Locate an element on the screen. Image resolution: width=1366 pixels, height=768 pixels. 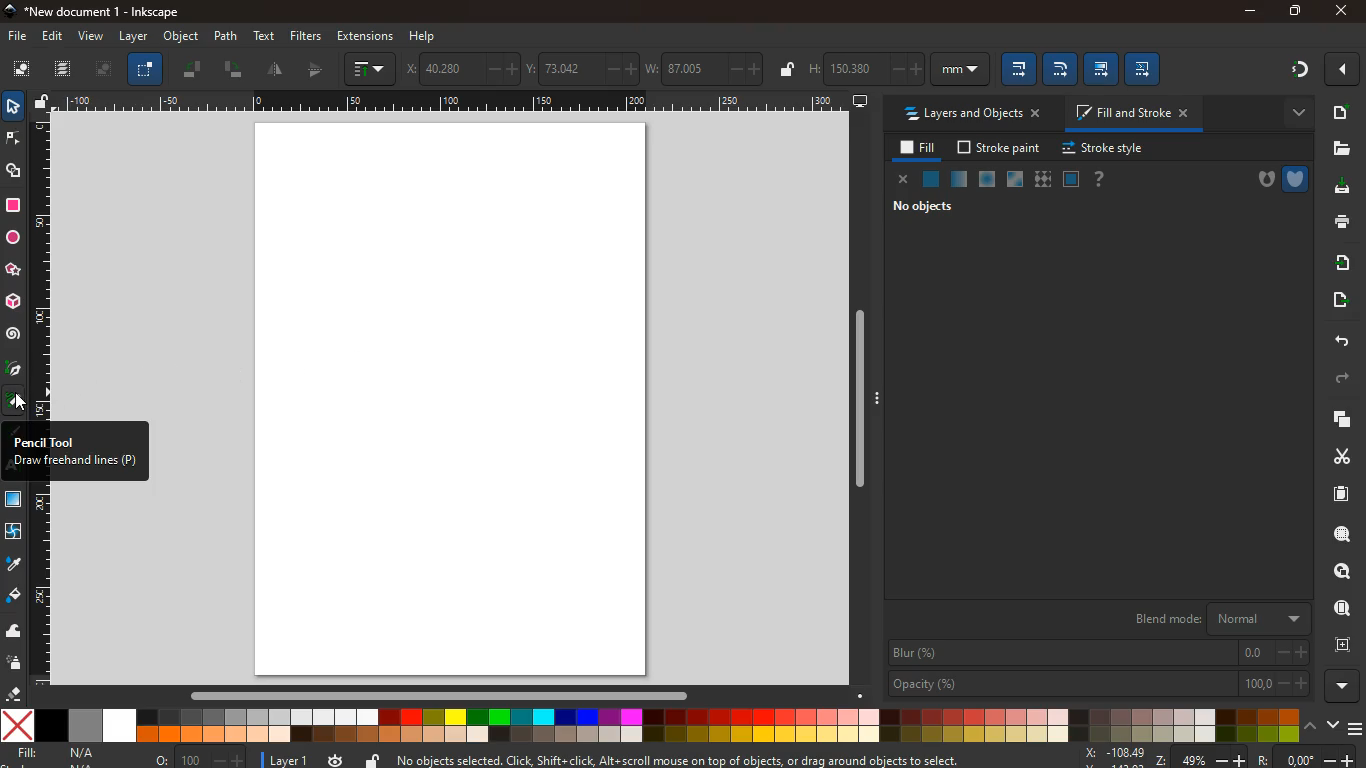
opacity is located at coordinates (960, 180).